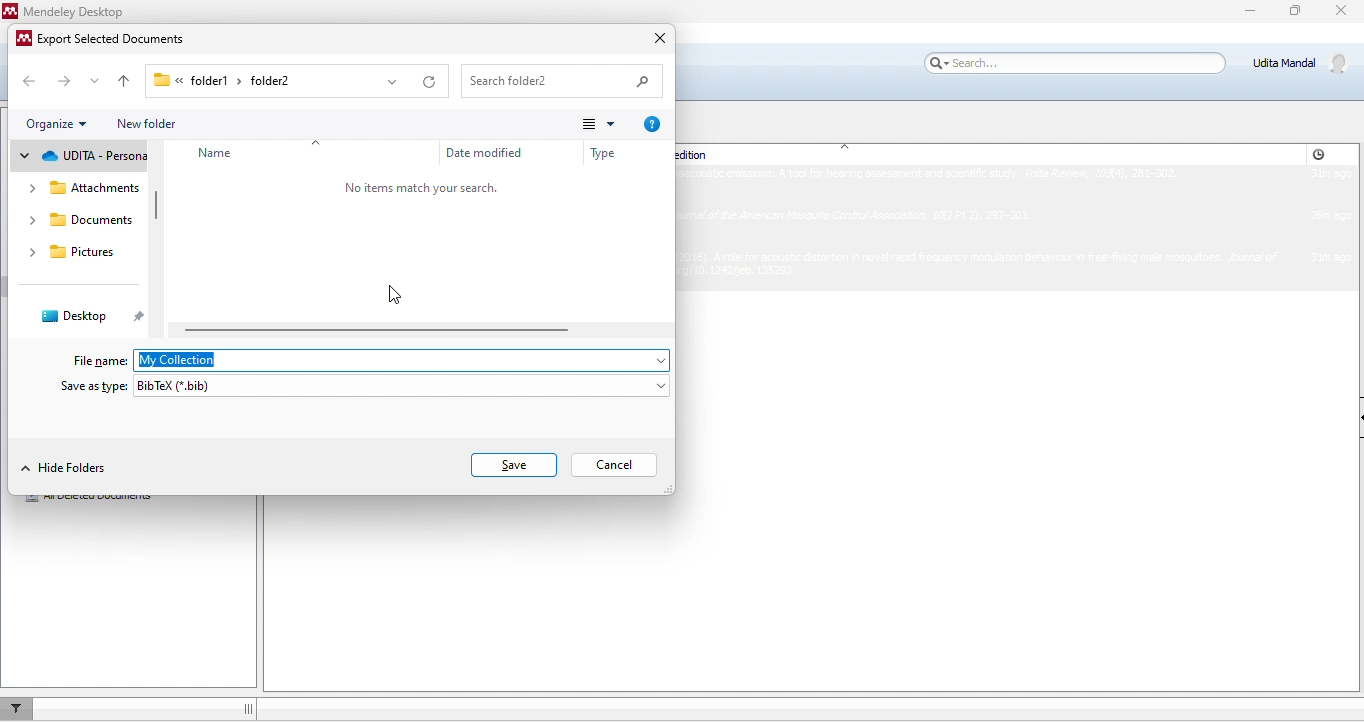 The width and height of the screenshot is (1364, 722). What do you see at coordinates (90, 314) in the screenshot?
I see `files and folders` at bounding box center [90, 314].